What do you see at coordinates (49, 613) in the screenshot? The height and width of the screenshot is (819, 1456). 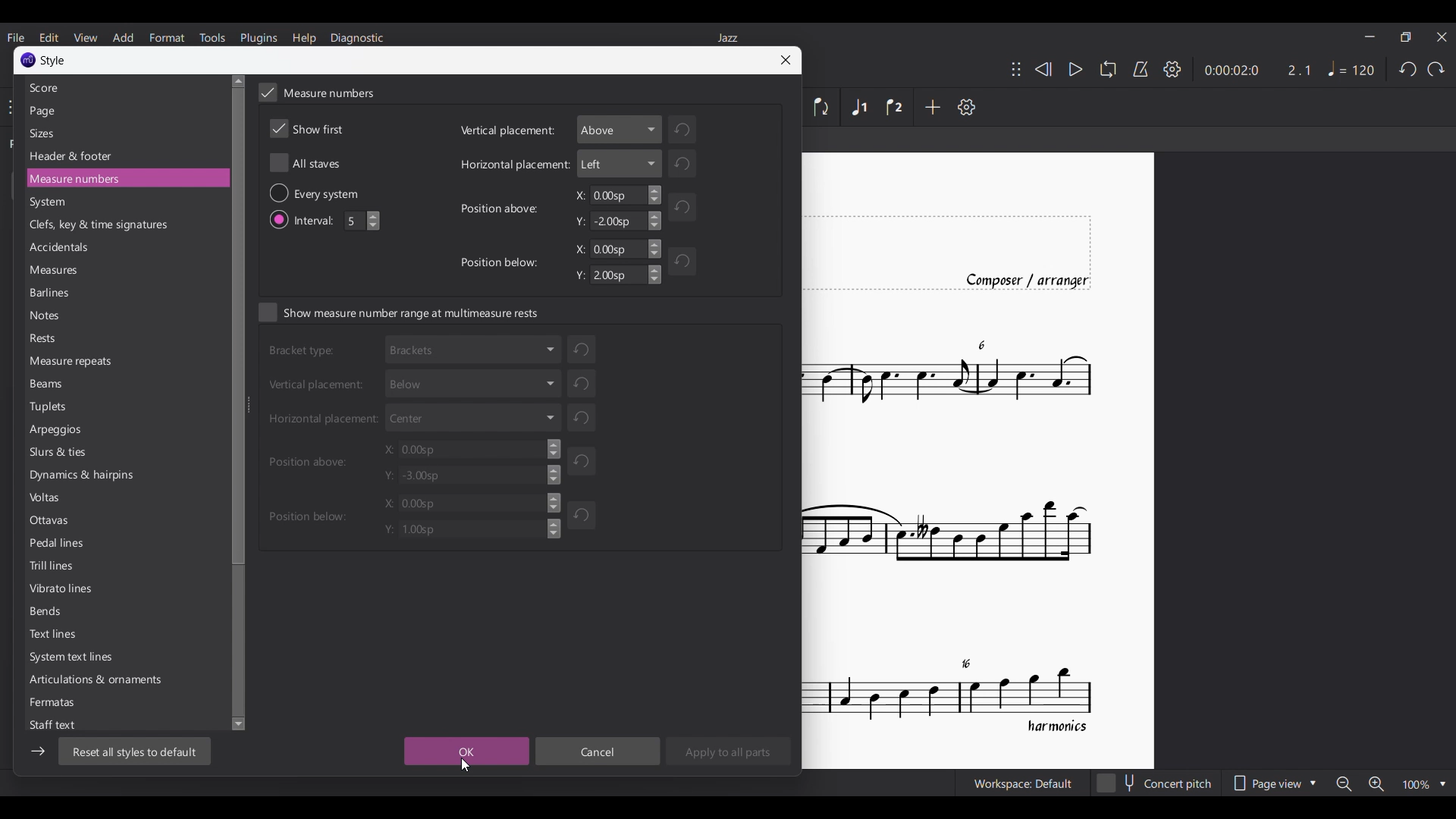 I see `Bends` at bounding box center [49, 613].